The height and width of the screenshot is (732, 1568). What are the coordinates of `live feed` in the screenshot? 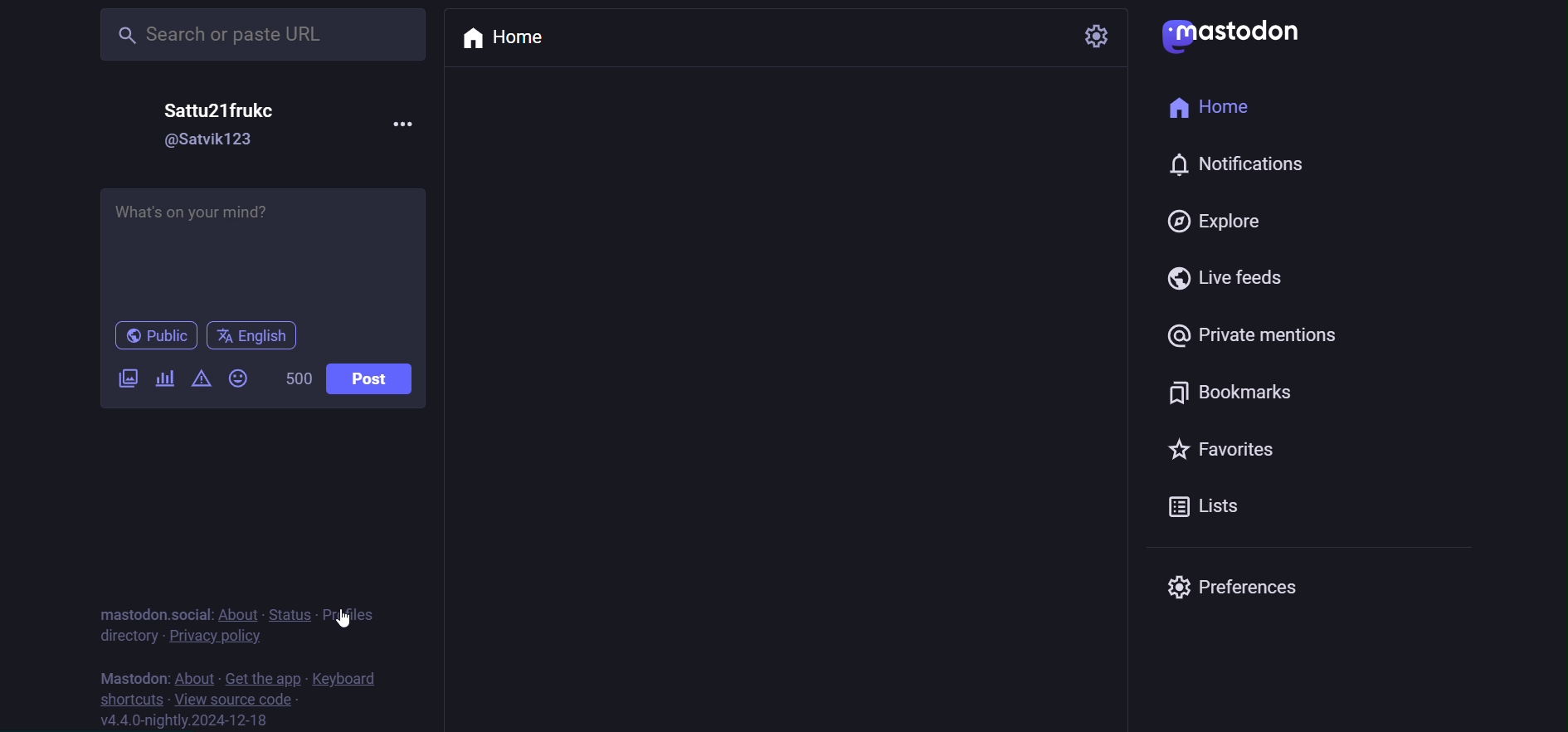 It's located at (1234, 280).